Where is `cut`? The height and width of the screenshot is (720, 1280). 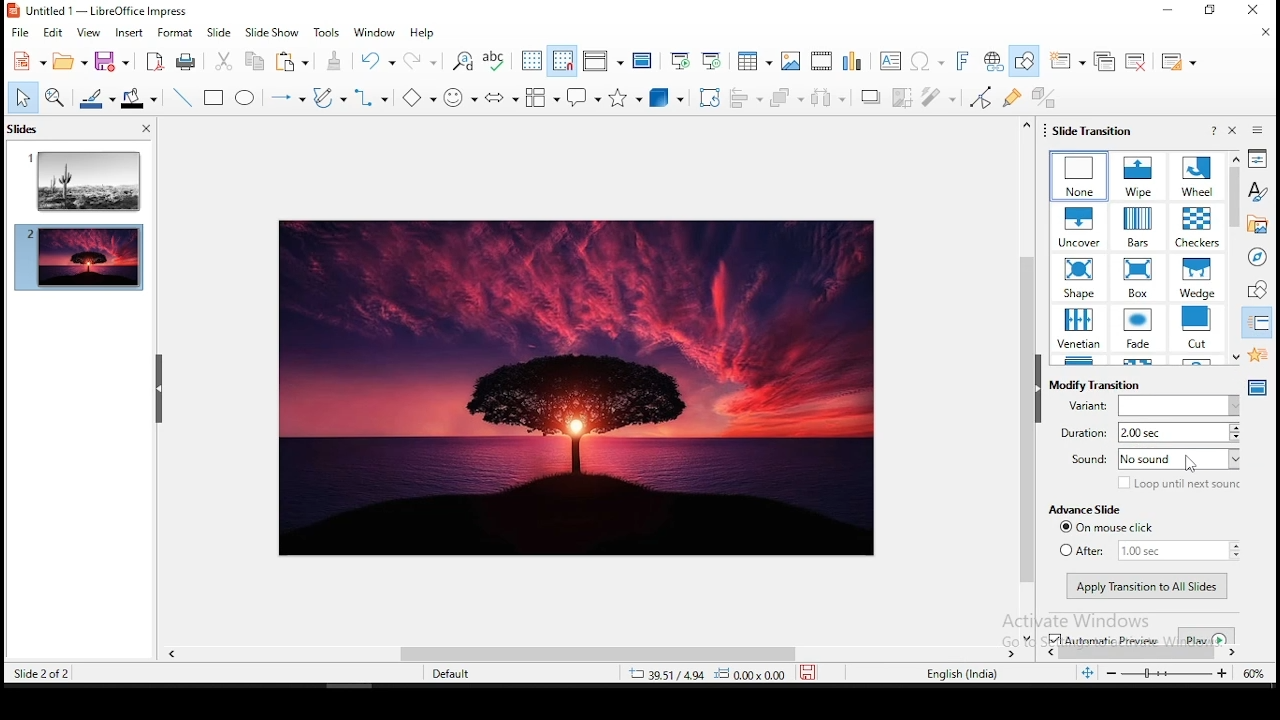
cut is located at coordinates (225, 61).